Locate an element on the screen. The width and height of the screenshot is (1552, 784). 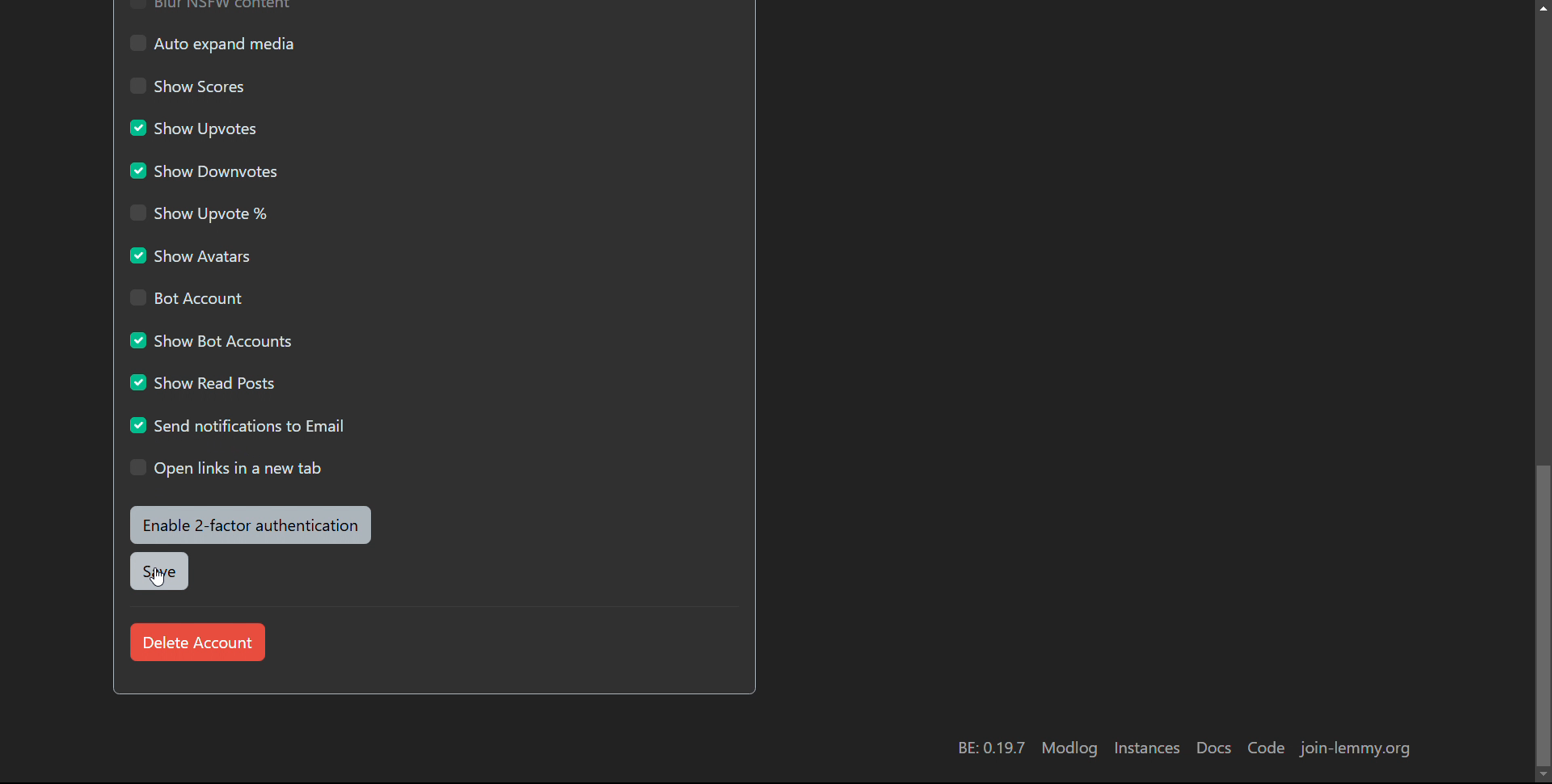
Scroll down is located at coordinates (1542, 776).